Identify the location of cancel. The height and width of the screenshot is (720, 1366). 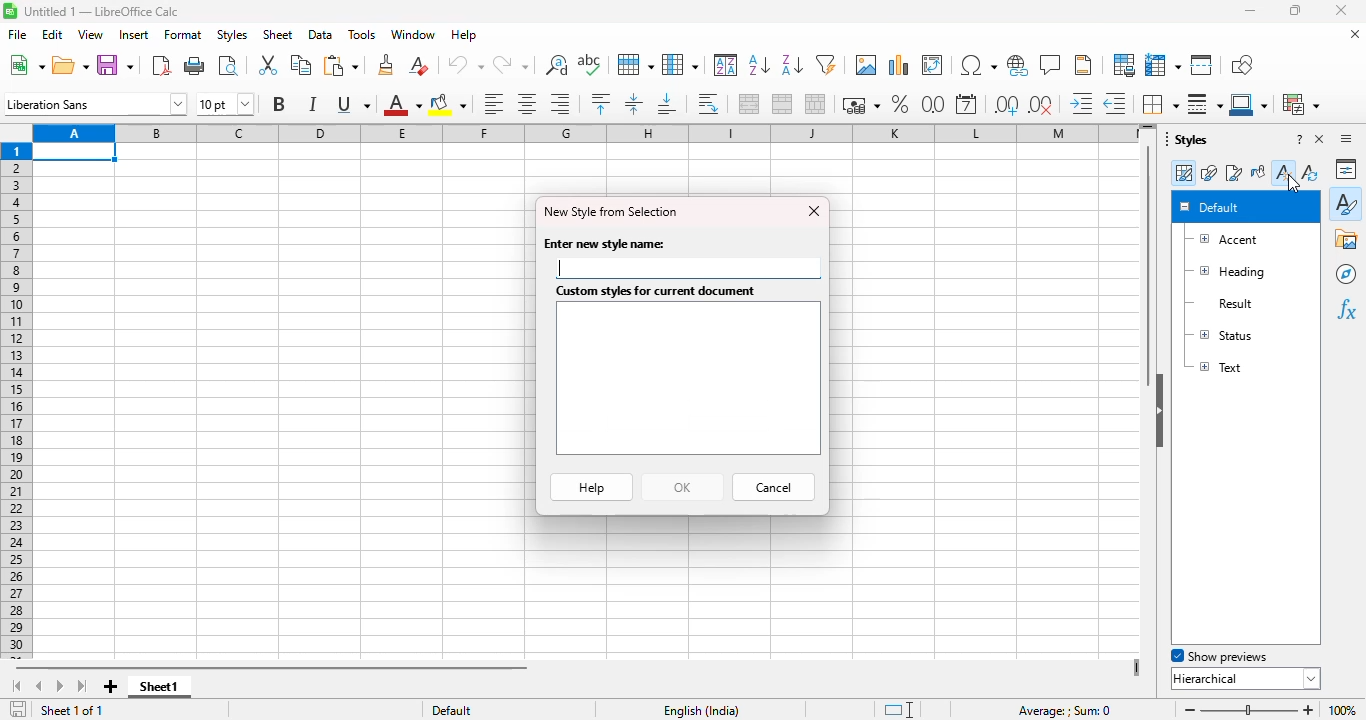
(773, 487).